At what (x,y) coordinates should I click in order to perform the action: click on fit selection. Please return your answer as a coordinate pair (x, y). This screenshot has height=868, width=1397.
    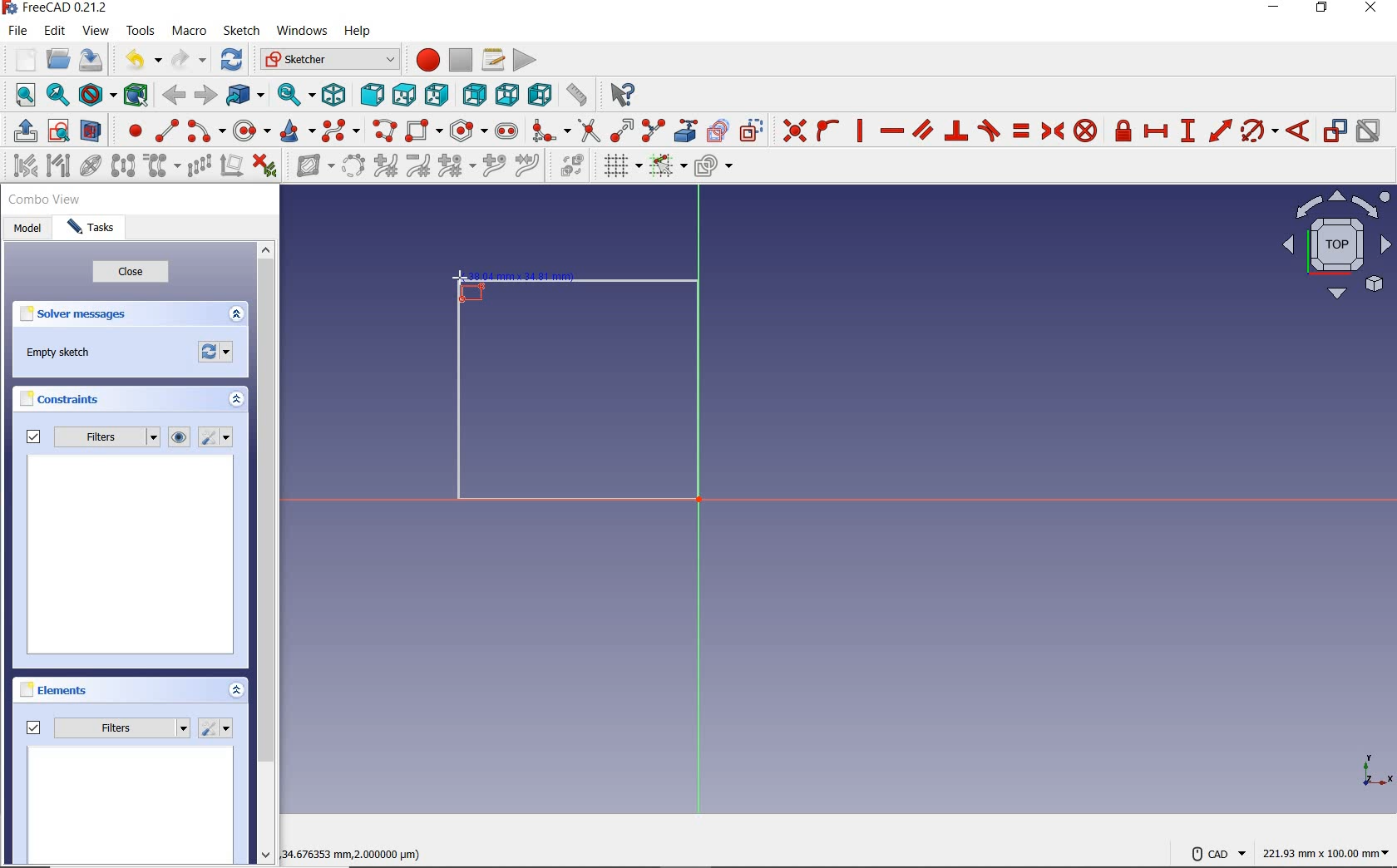
    Looking at the image, I should click on (58, 96).